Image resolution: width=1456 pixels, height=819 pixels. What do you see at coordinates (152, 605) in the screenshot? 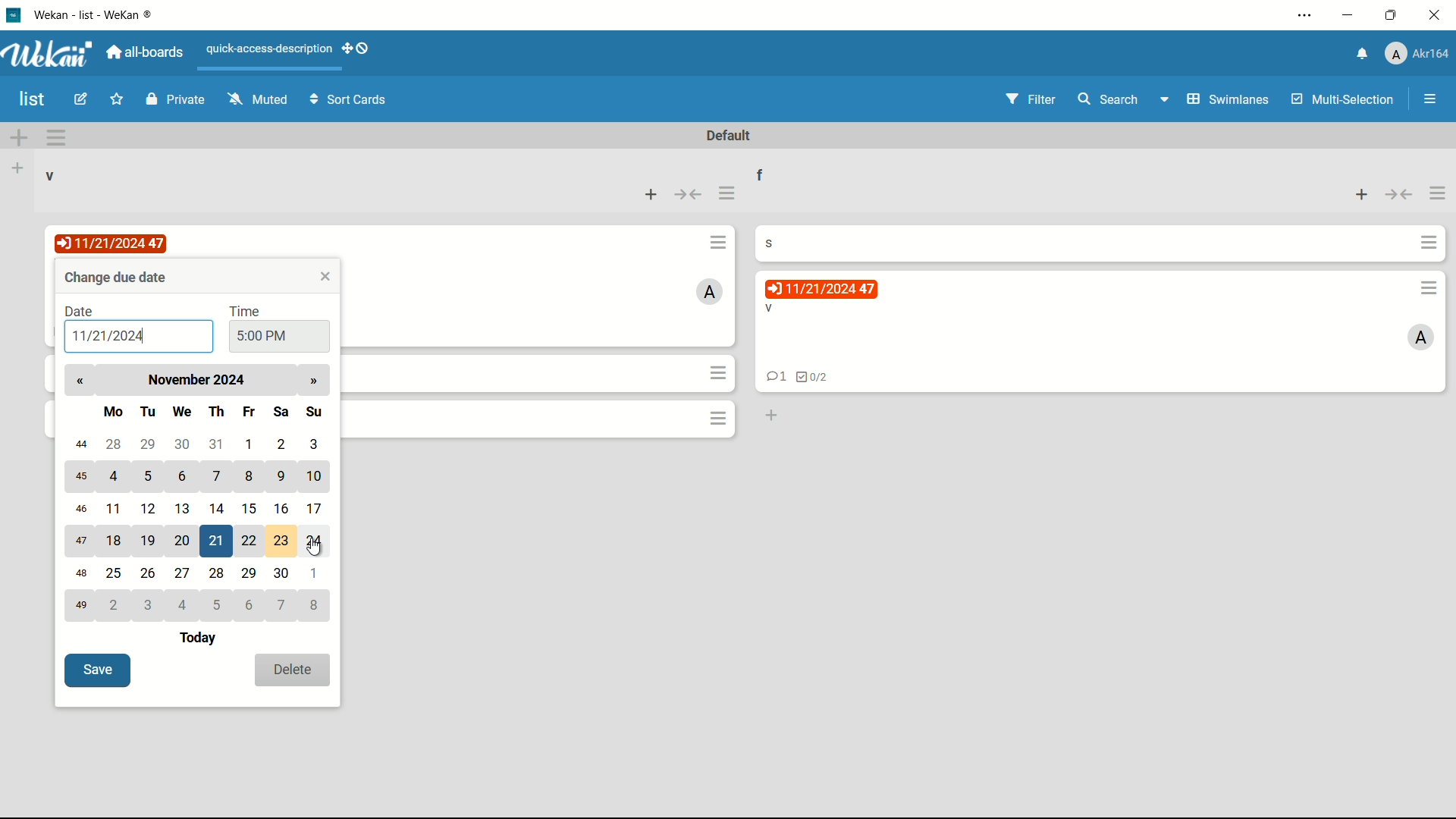
I see `3` at bounding box center [152, 605].